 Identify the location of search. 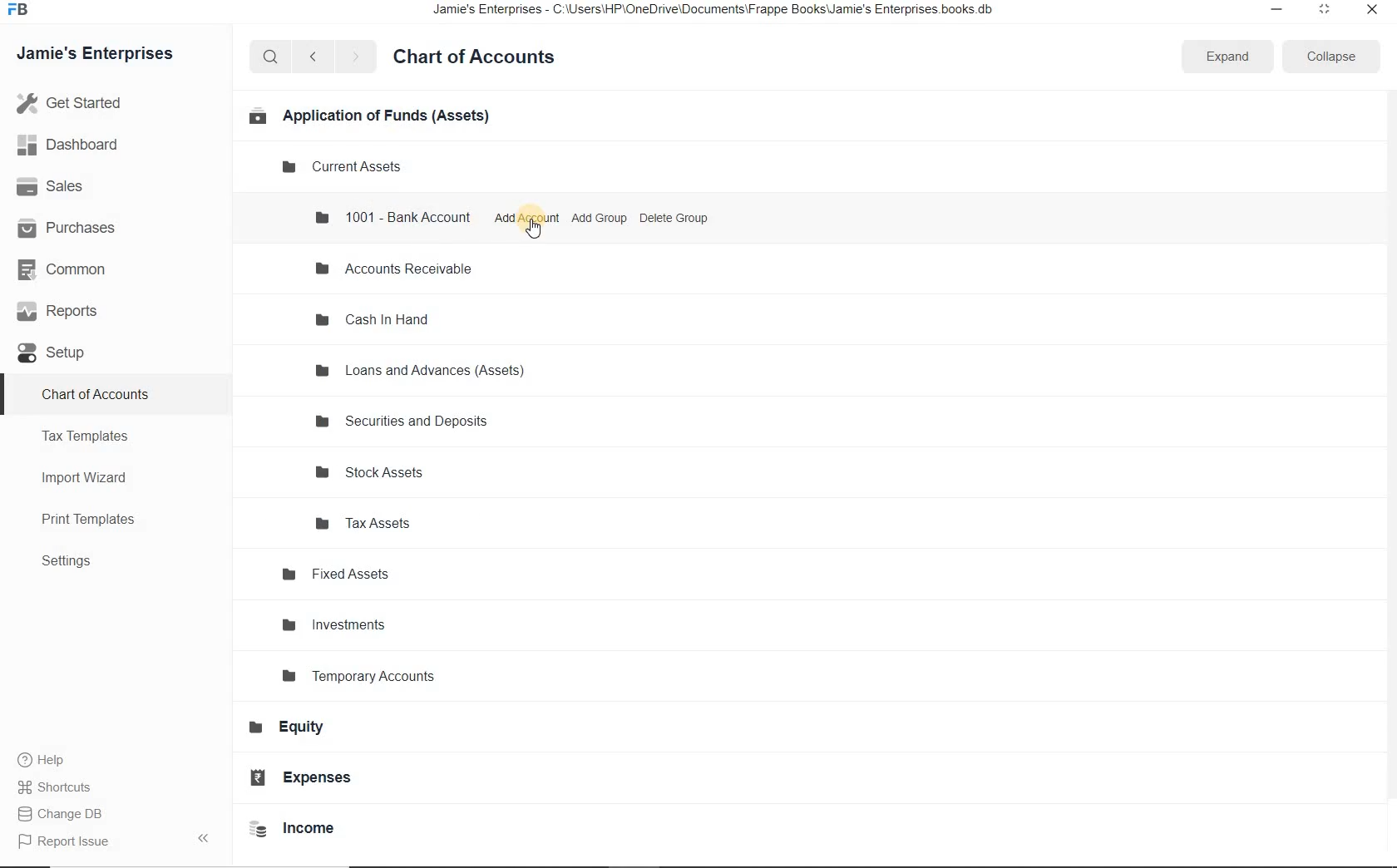
(270, 57).